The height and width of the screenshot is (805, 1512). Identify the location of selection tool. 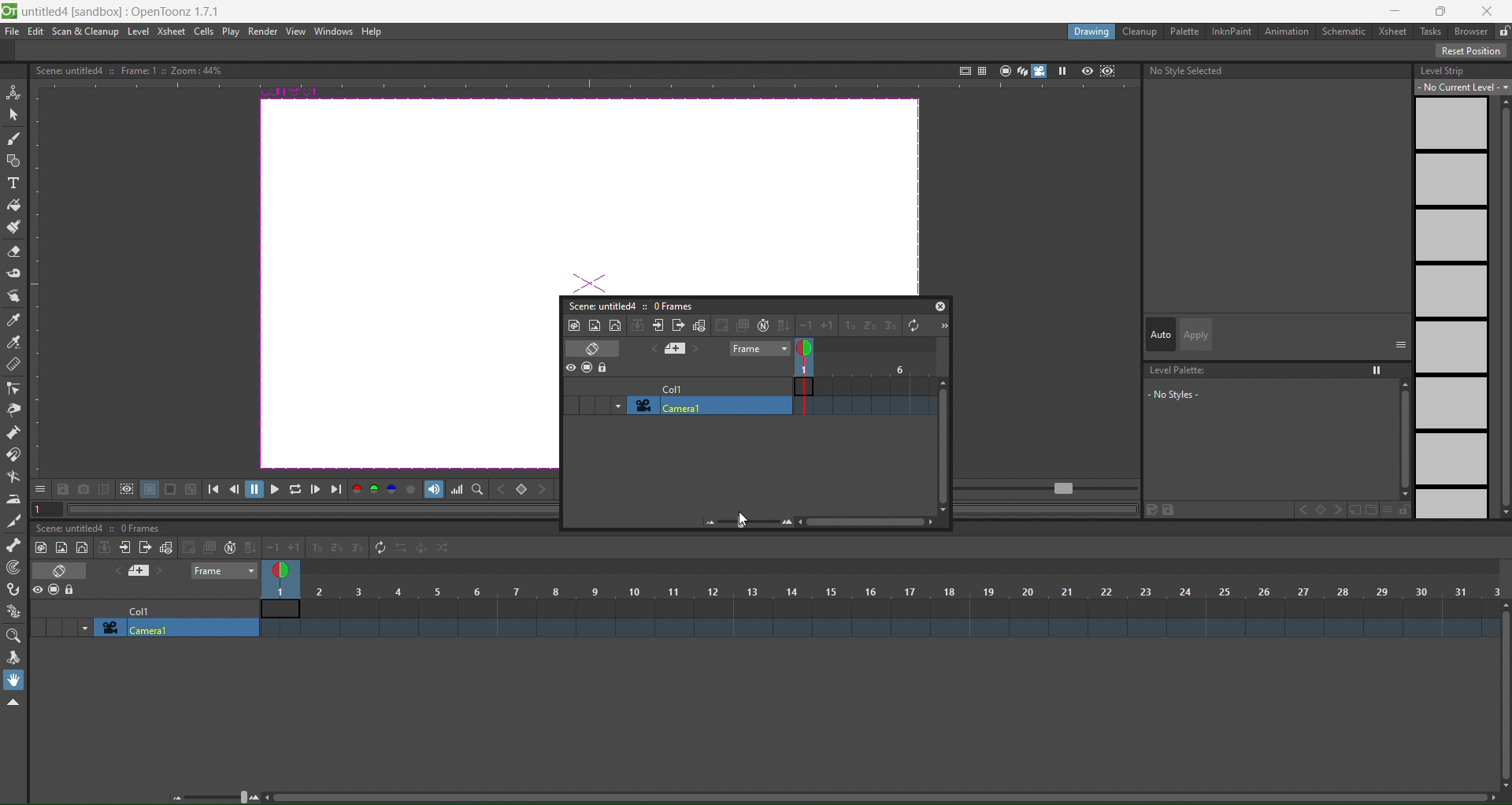
(14, 113).